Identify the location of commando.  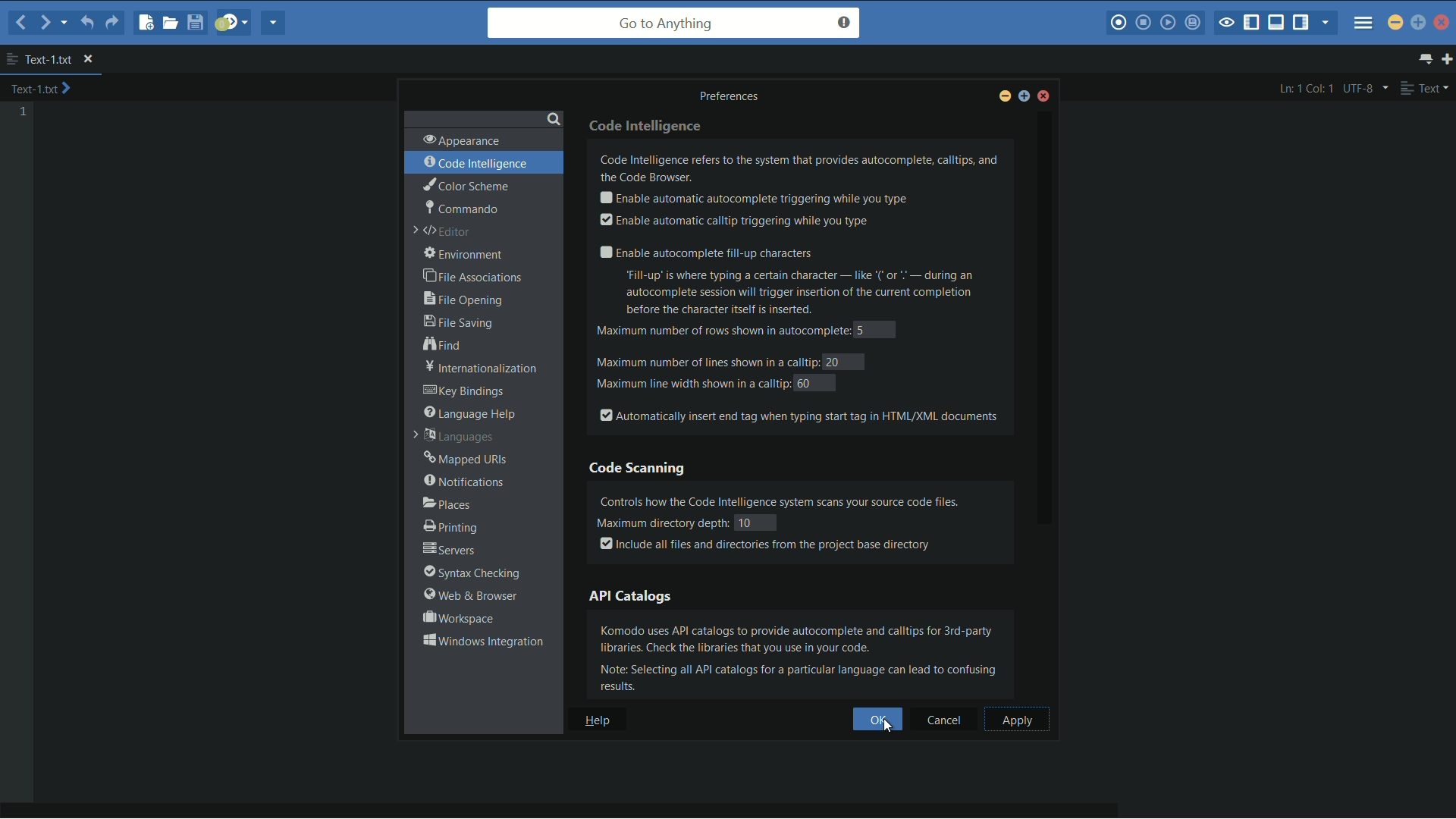
(461, 207).